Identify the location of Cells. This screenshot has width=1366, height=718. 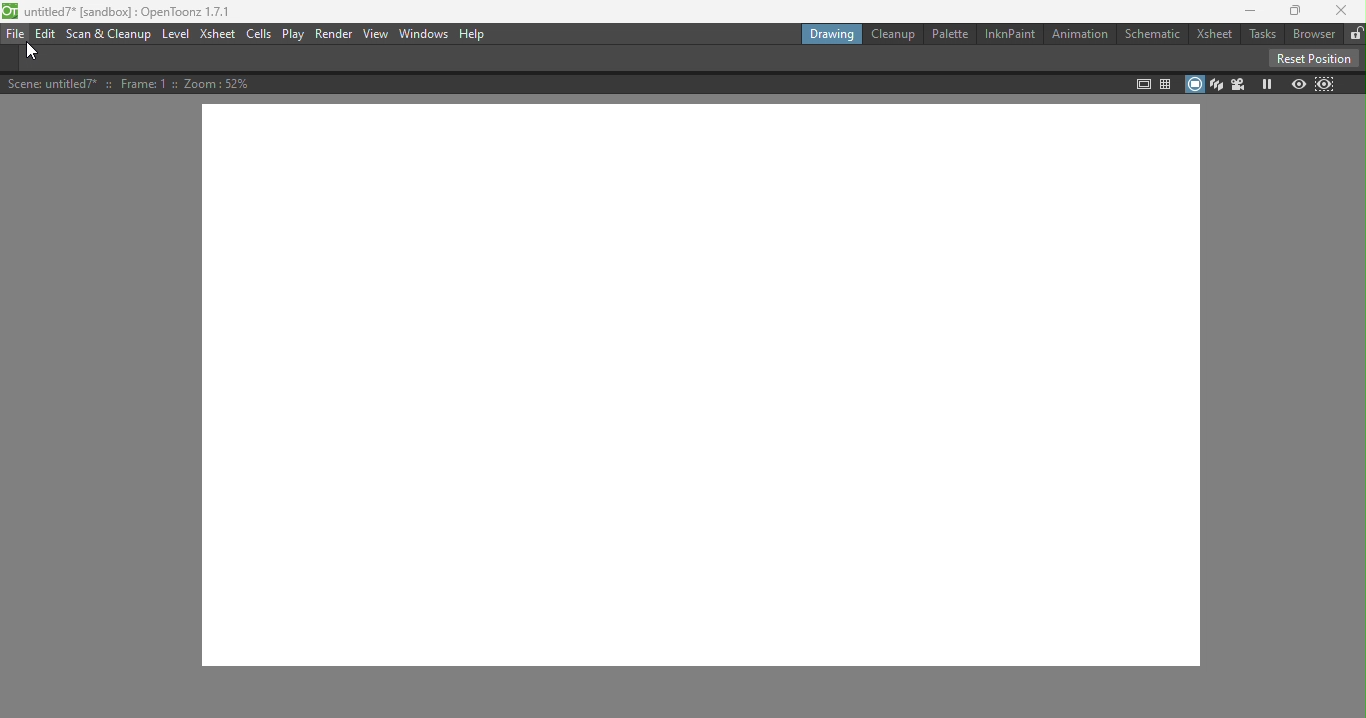
(261, 35).